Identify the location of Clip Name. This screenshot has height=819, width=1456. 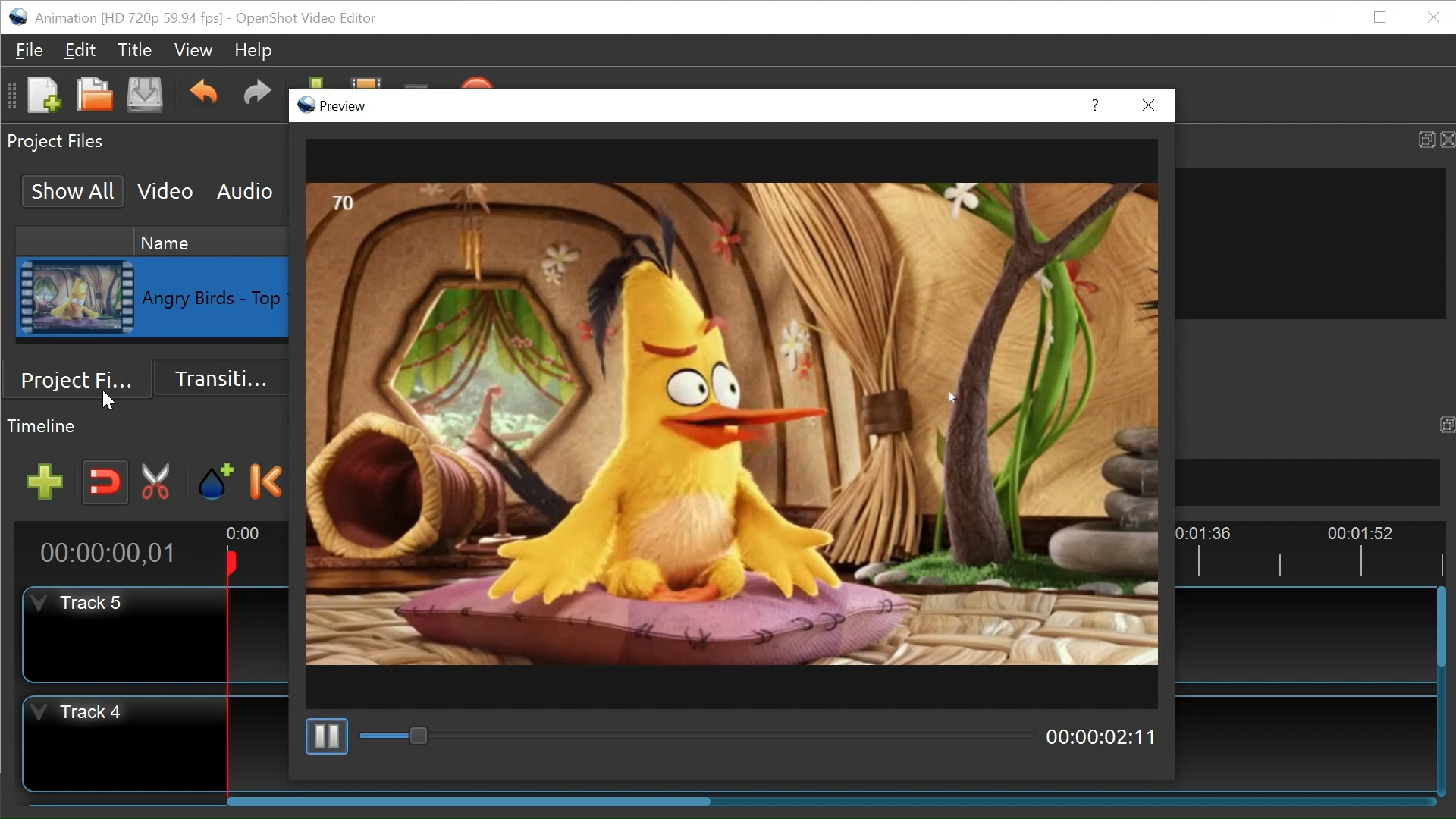
(215, 299).